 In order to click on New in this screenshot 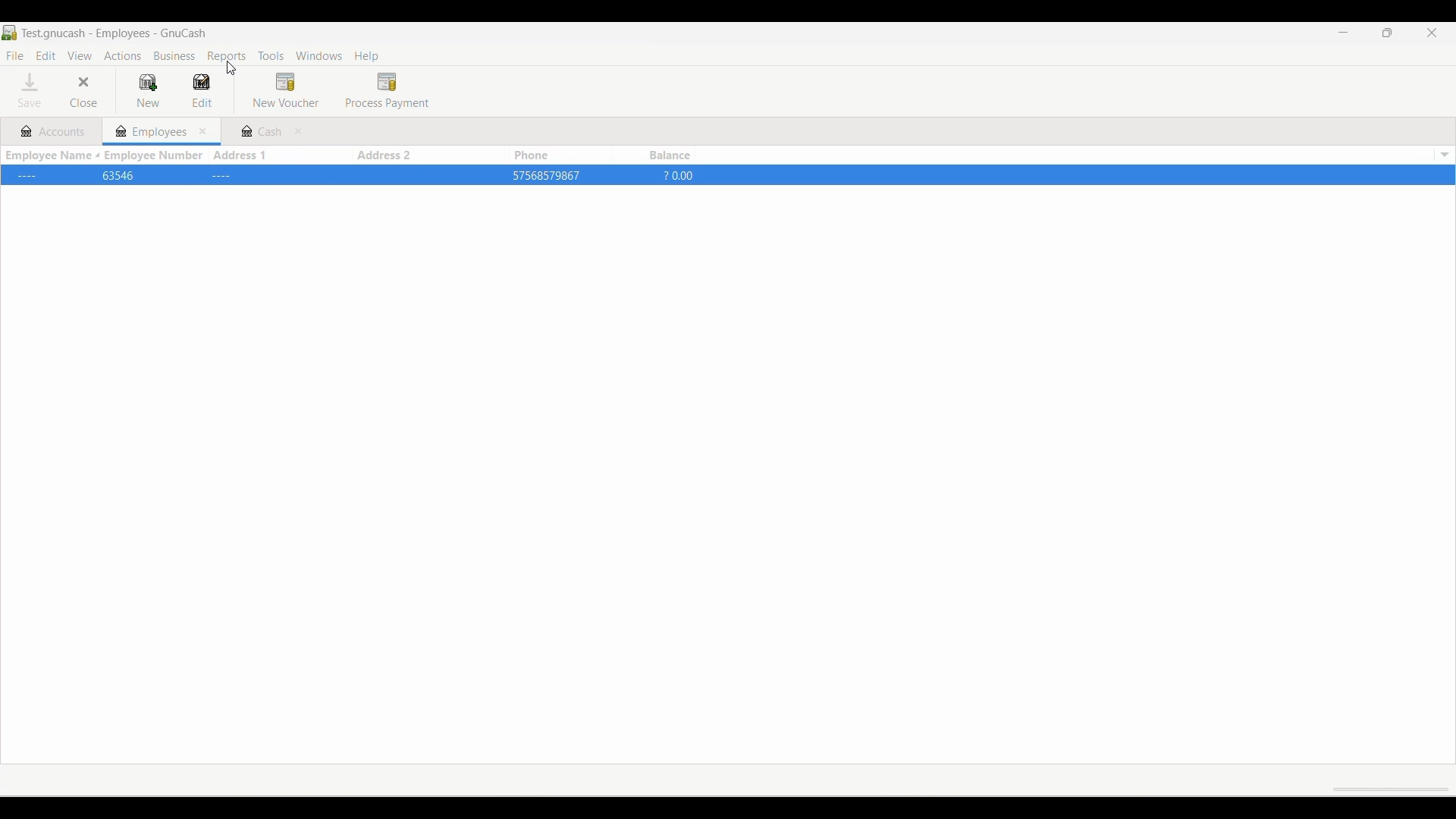, I will do `click(148, 92)`.